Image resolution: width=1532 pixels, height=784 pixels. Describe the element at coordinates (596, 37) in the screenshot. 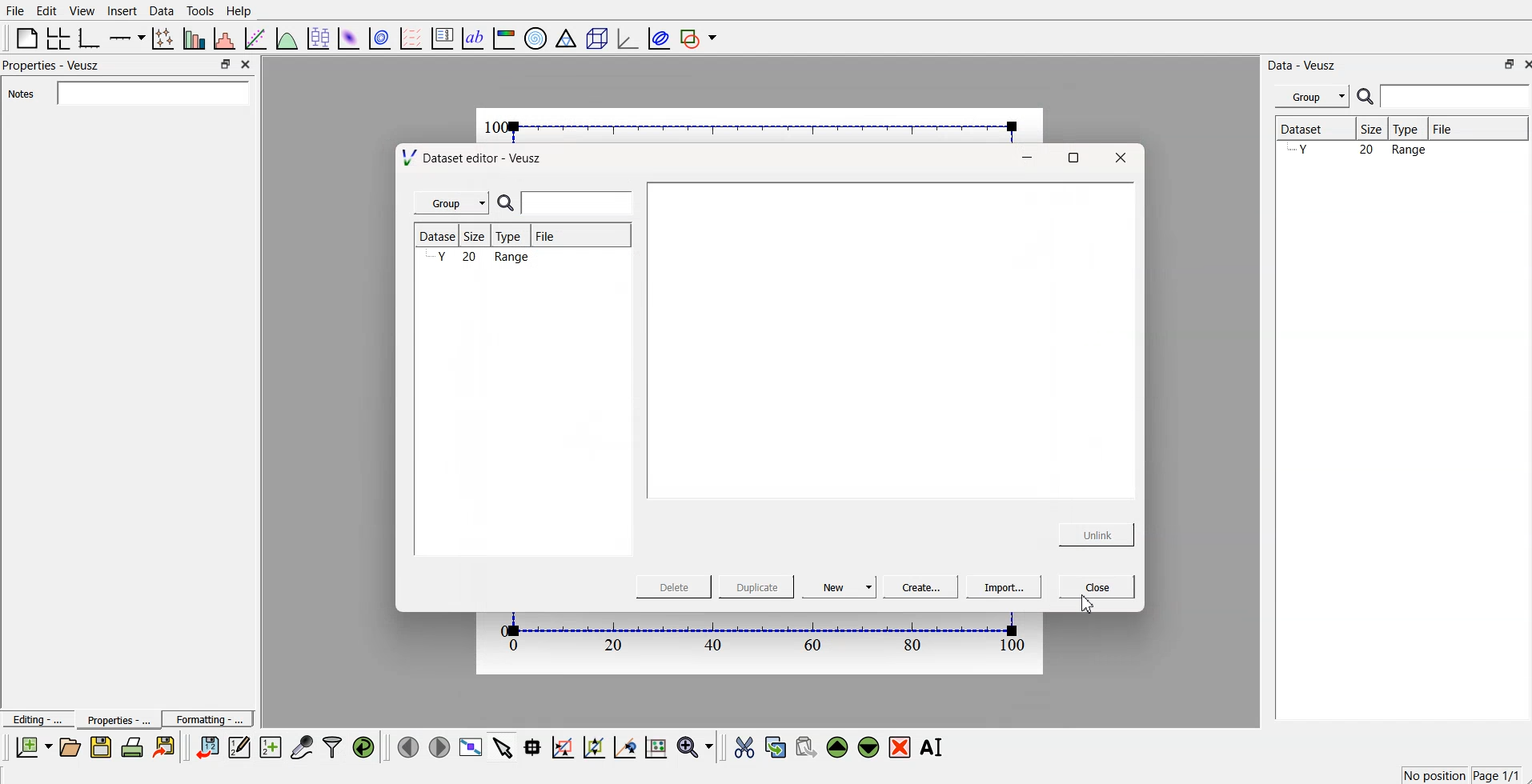

I see `3D scene` at that location.